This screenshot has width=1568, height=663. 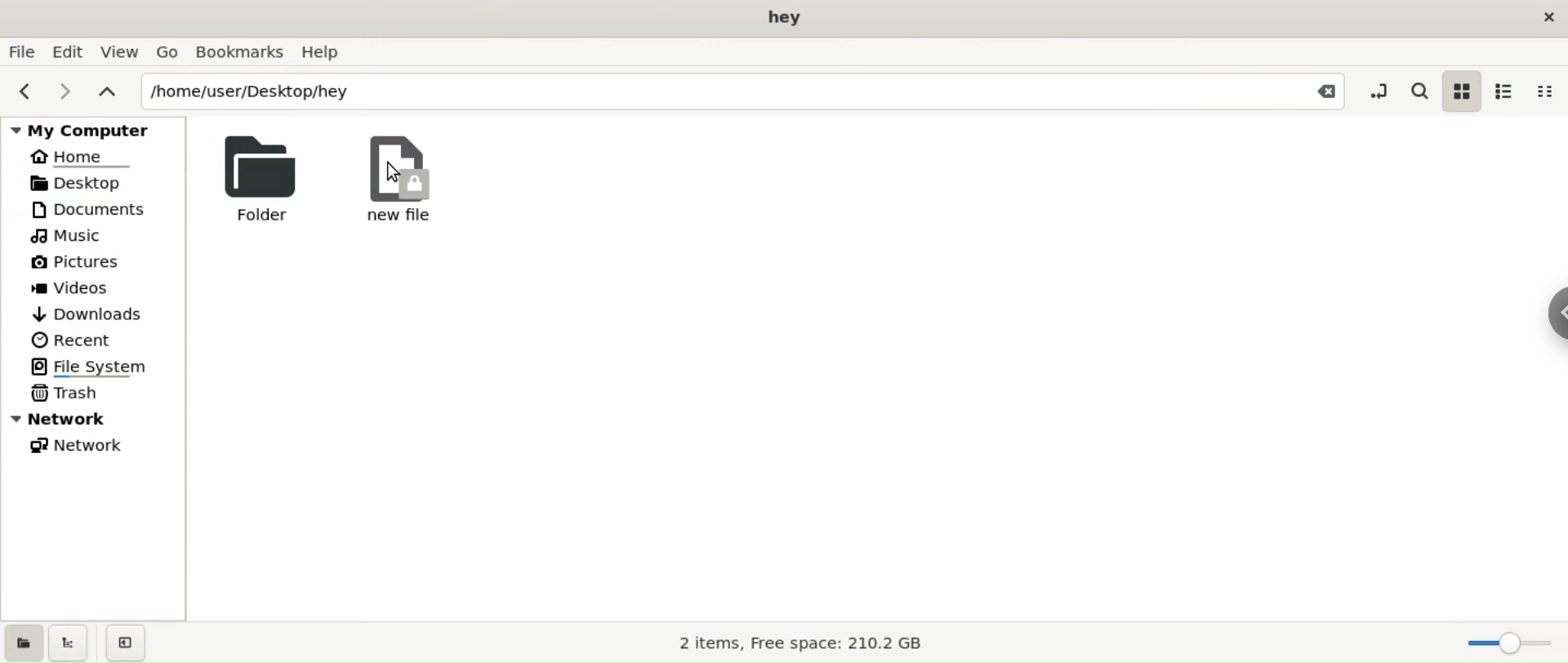 I want to click on File System, so click(x=96, y=366).